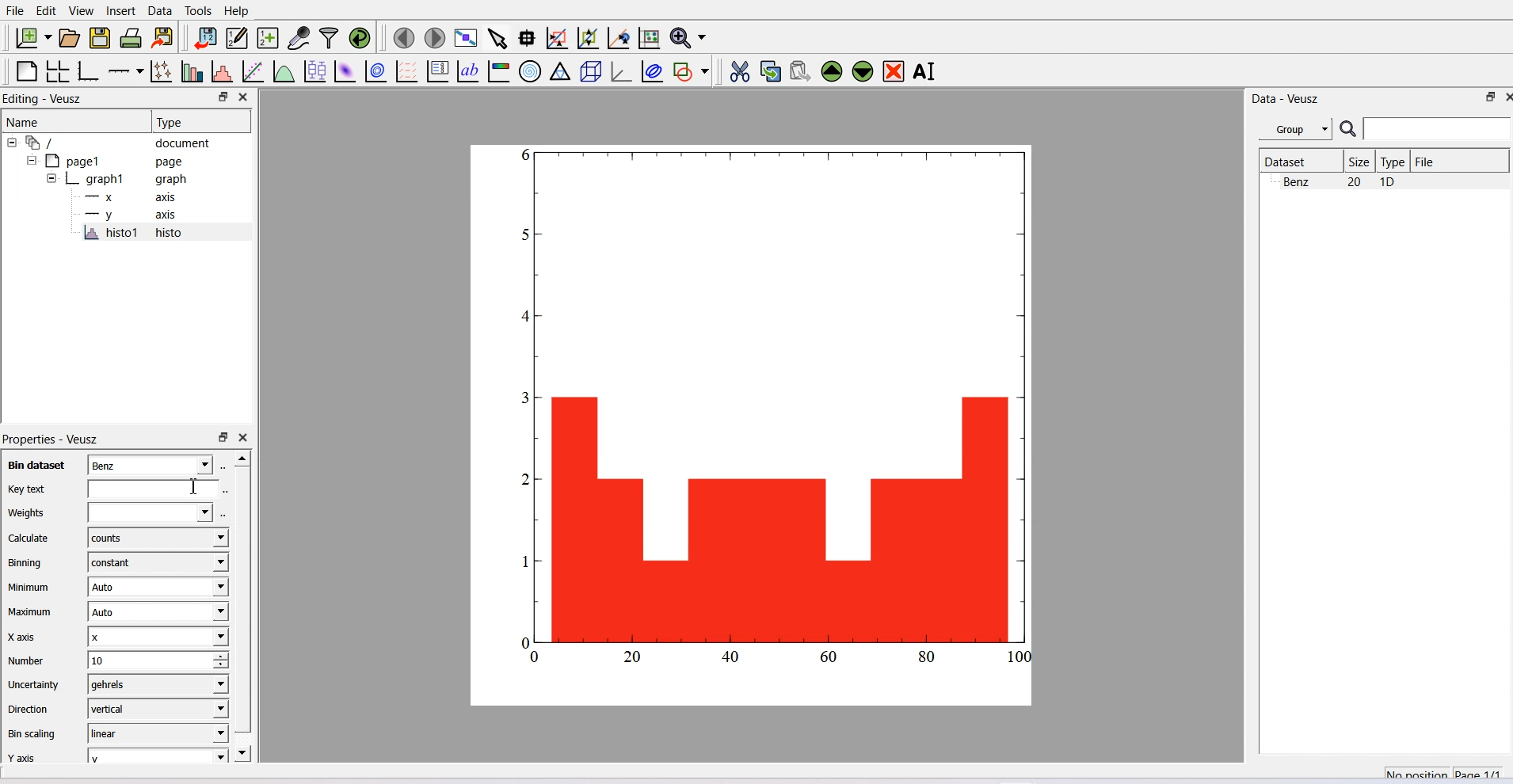 This screenshot has width=1513, height=784. Describe the element at coordinates (690, 71) in the screenshot. I see `Add shape to the plot` at that location.